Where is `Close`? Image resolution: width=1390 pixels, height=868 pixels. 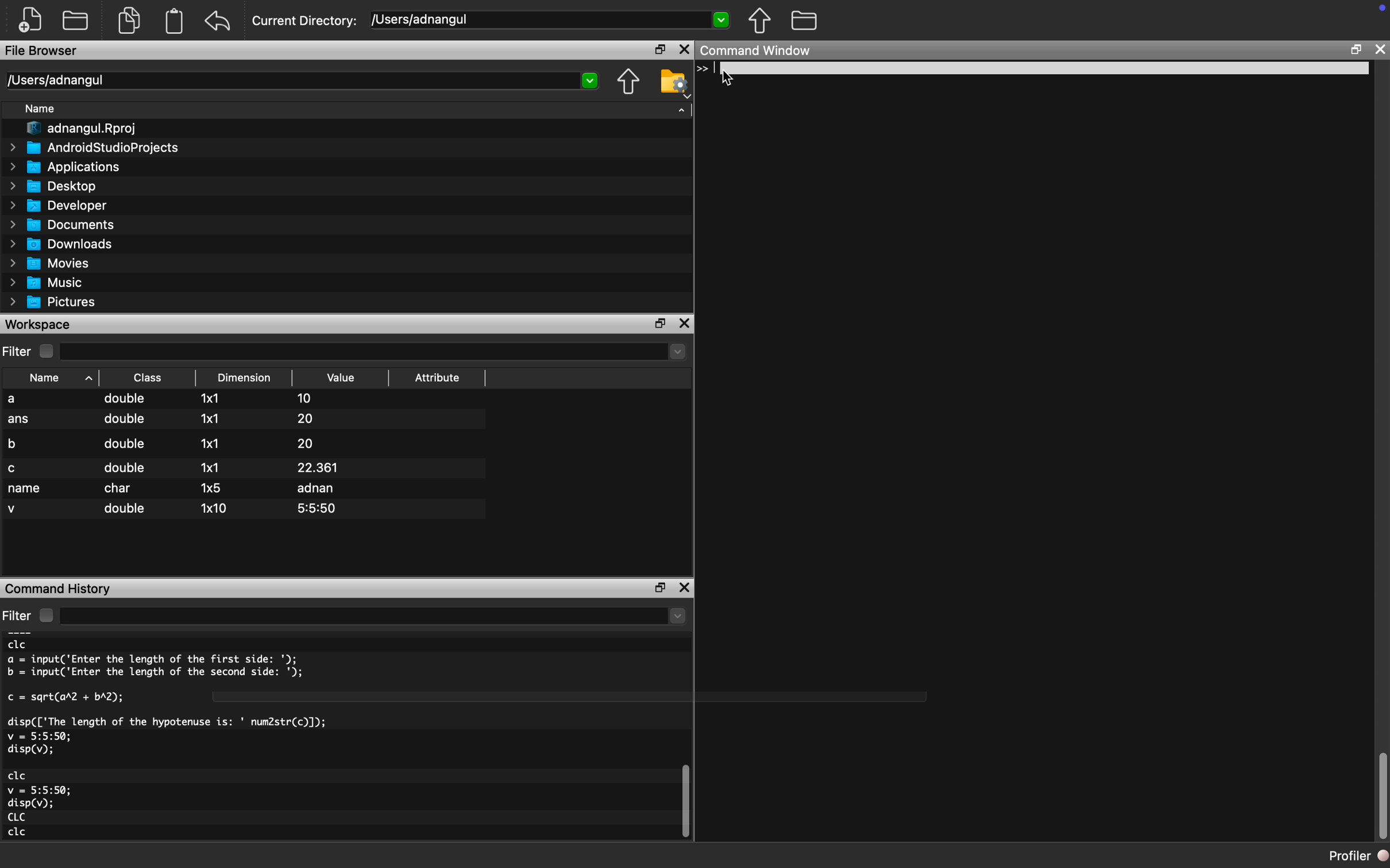
Close is located at coordinates (686, 323).